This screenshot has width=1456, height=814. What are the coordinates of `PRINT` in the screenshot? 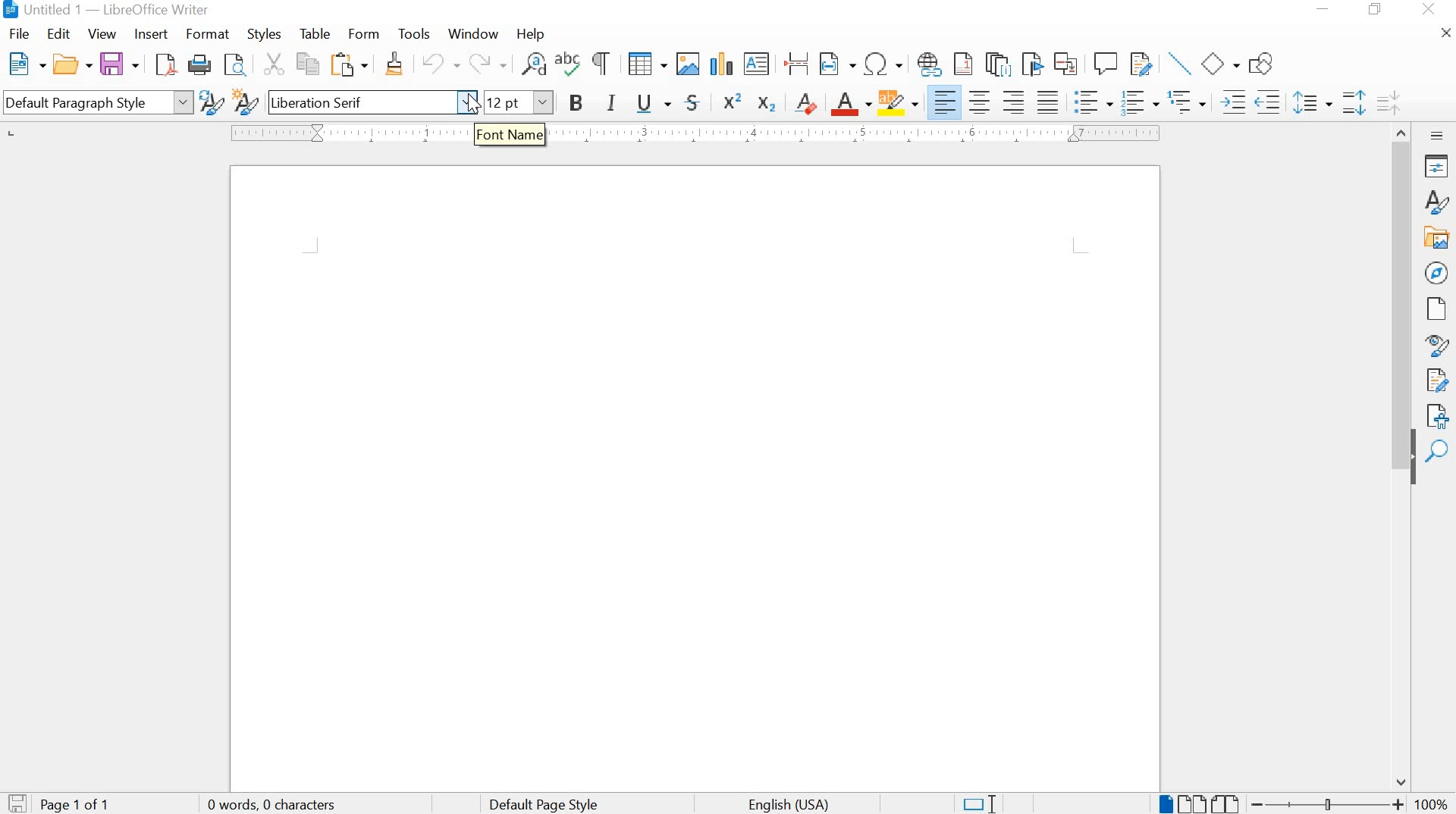 It's located at (199, 65).